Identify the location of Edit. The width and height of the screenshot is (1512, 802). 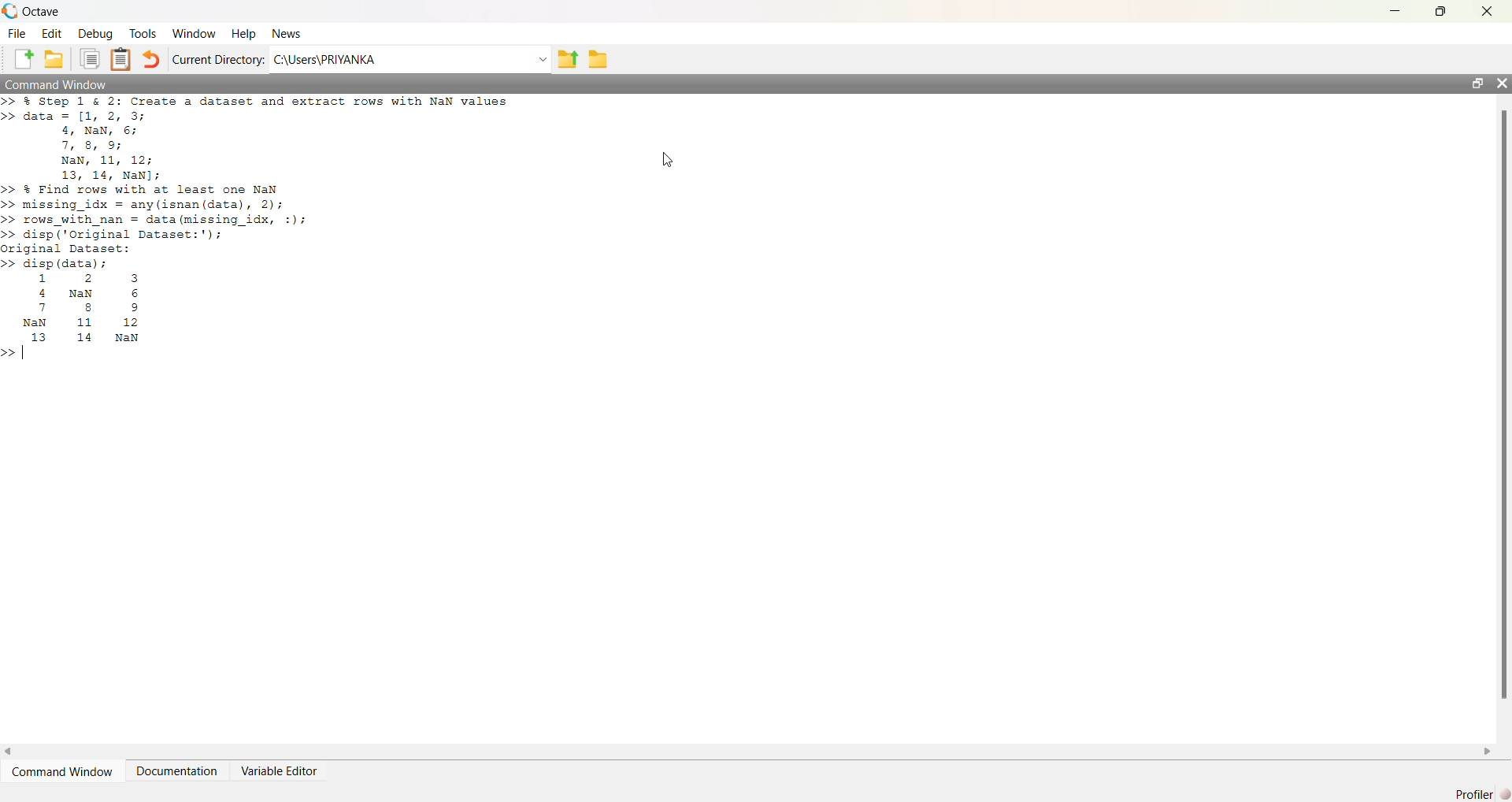
(52, 34).